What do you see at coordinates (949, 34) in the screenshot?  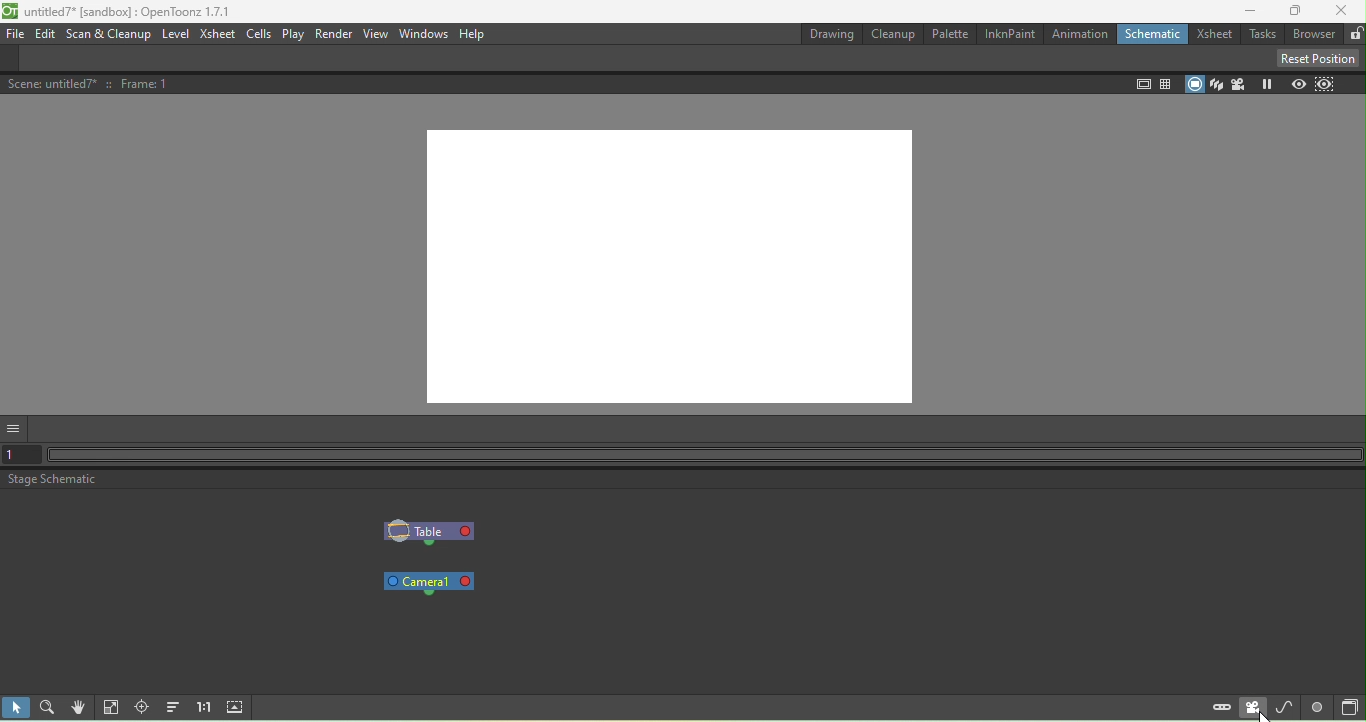 I see `Palette` at bounding box center [949, 34].